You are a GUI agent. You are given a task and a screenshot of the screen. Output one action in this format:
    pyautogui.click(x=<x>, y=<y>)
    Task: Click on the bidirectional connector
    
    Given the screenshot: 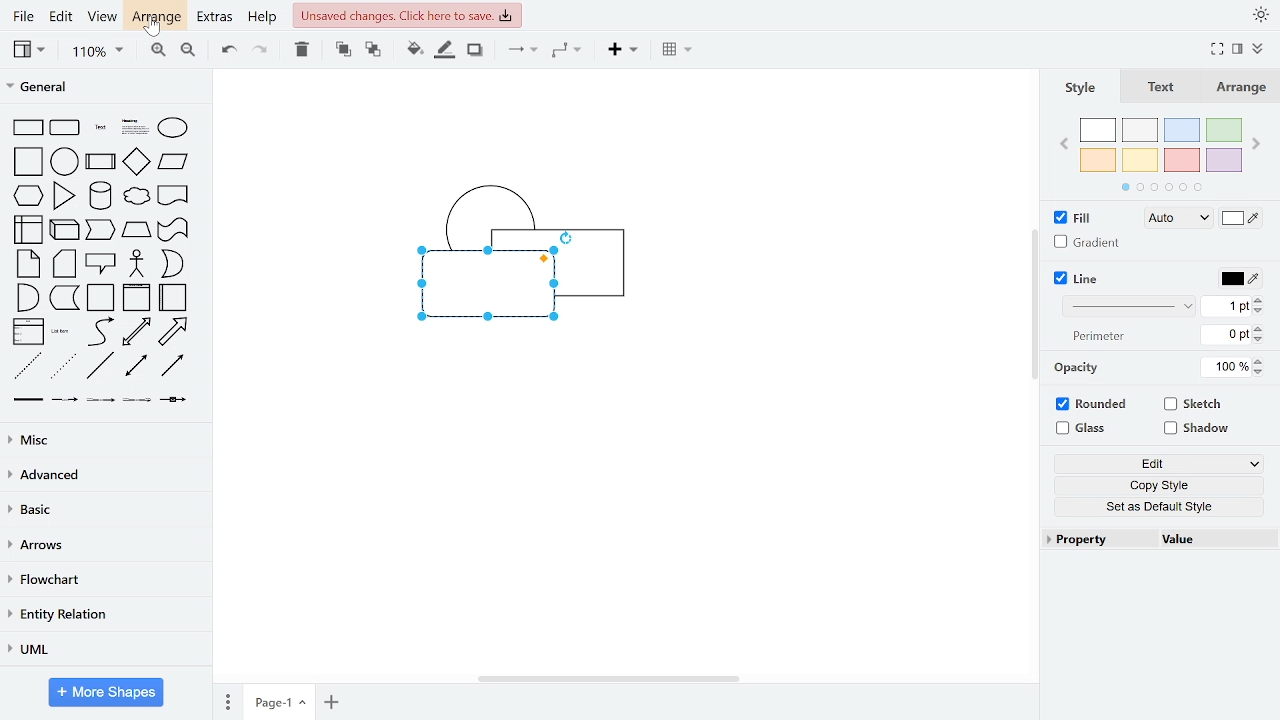 What is the action you would take?
    pyautogui.click(x=137, y=366)
    